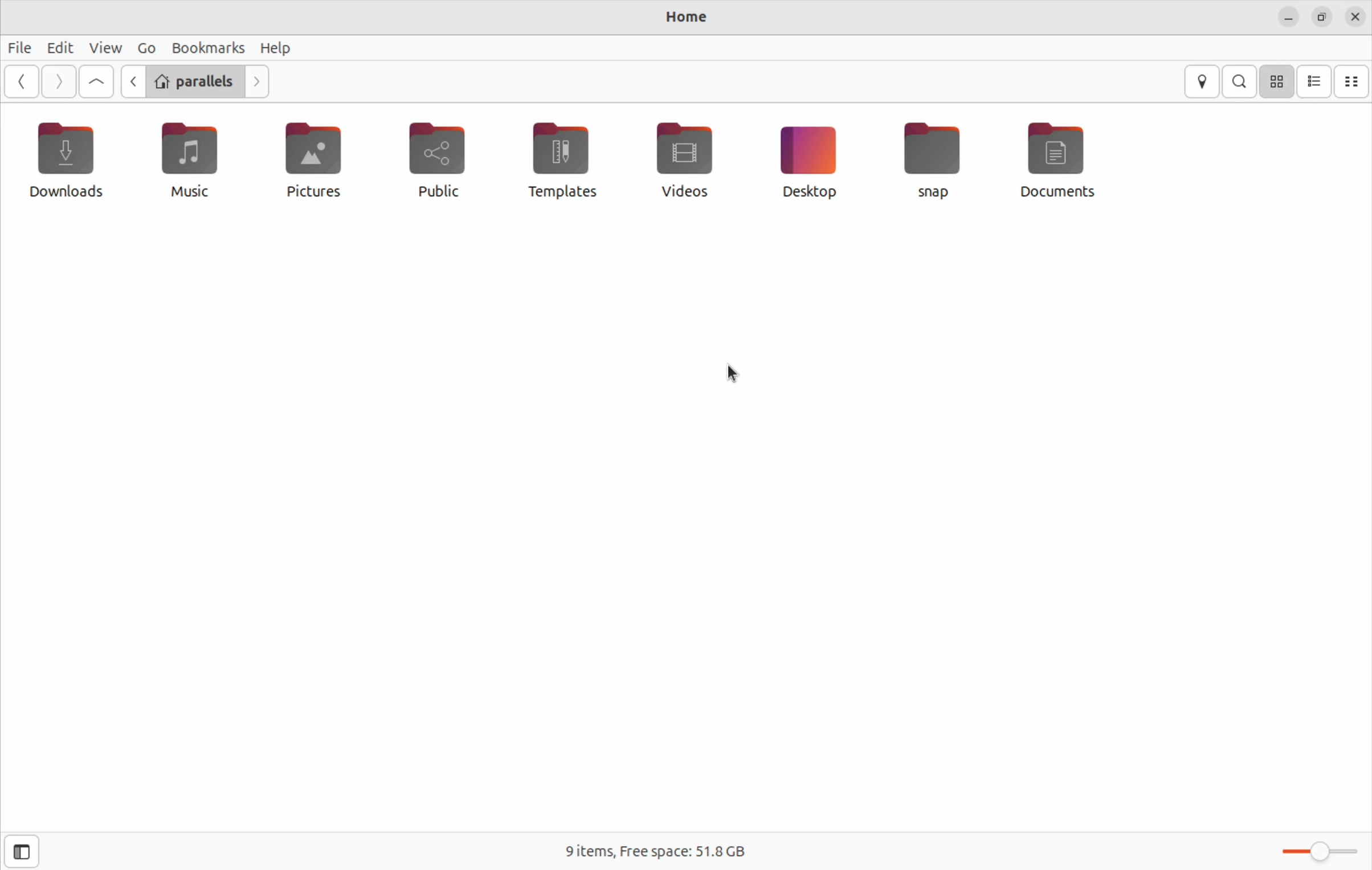  Describe the element at coordinates (22, 854) in the screenshot. I see `close side bar` at that location.